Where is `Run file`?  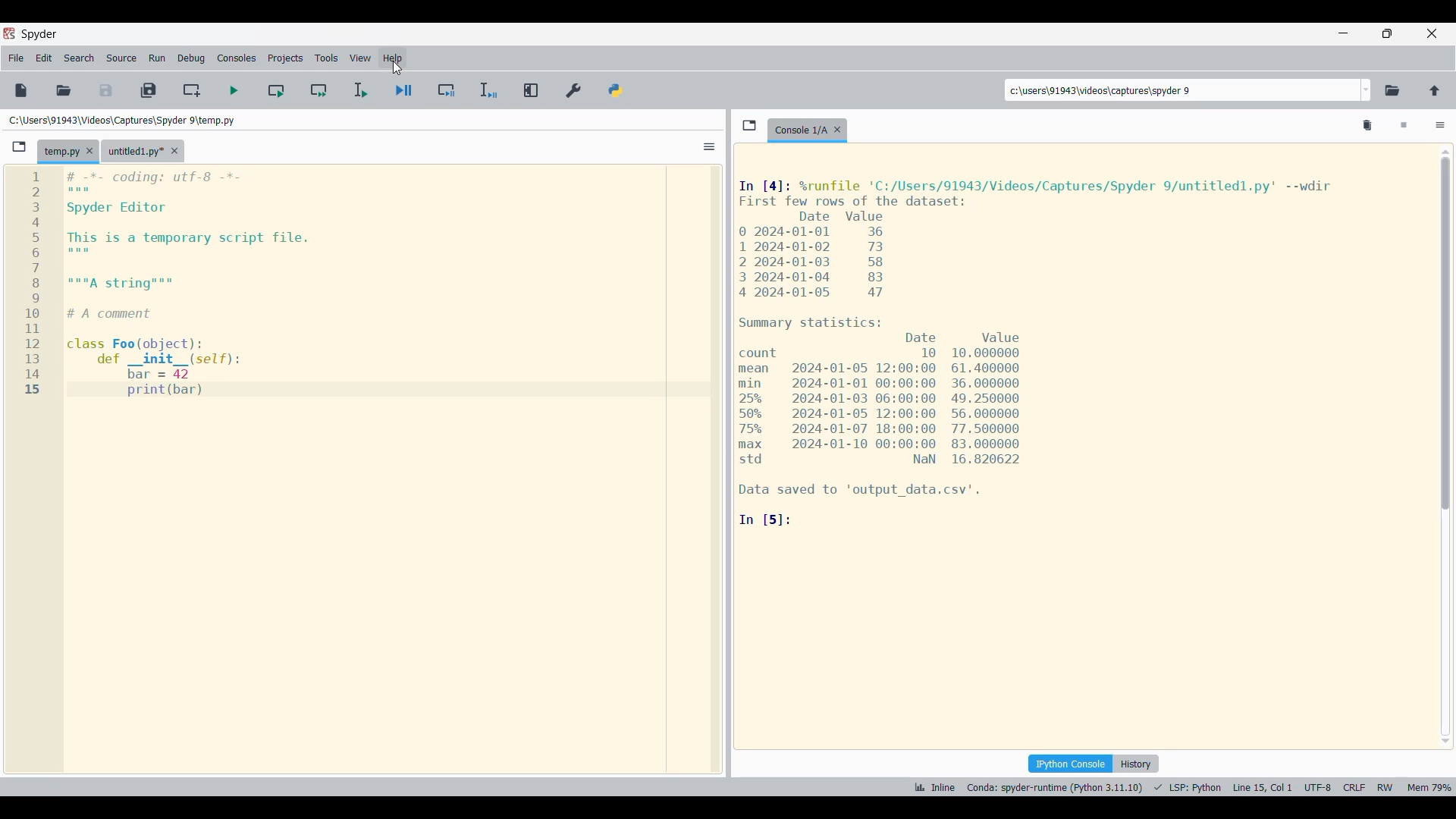
Run file is located at coordinates (234, 91).